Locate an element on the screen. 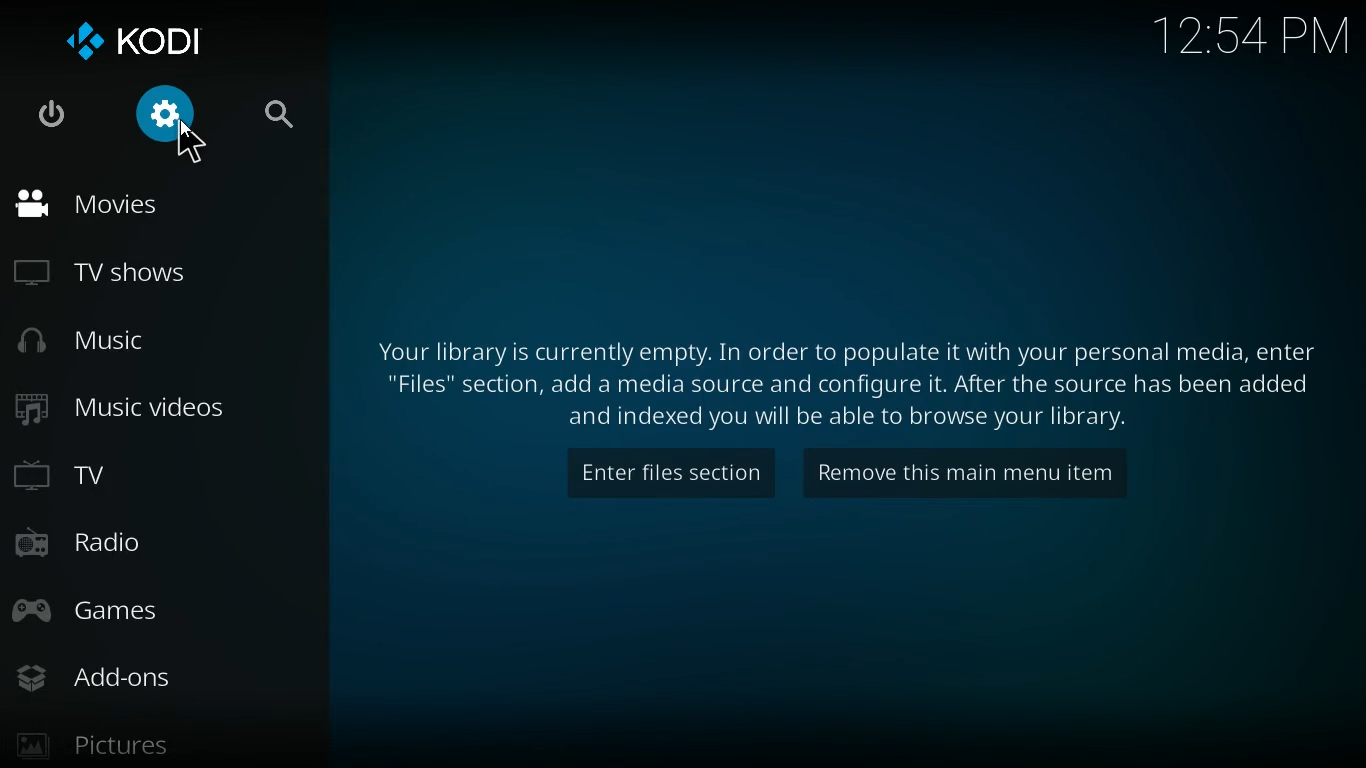 The height and width of the screenshot is (768, 1366). kodi logo is located at coordinates (161, 42).